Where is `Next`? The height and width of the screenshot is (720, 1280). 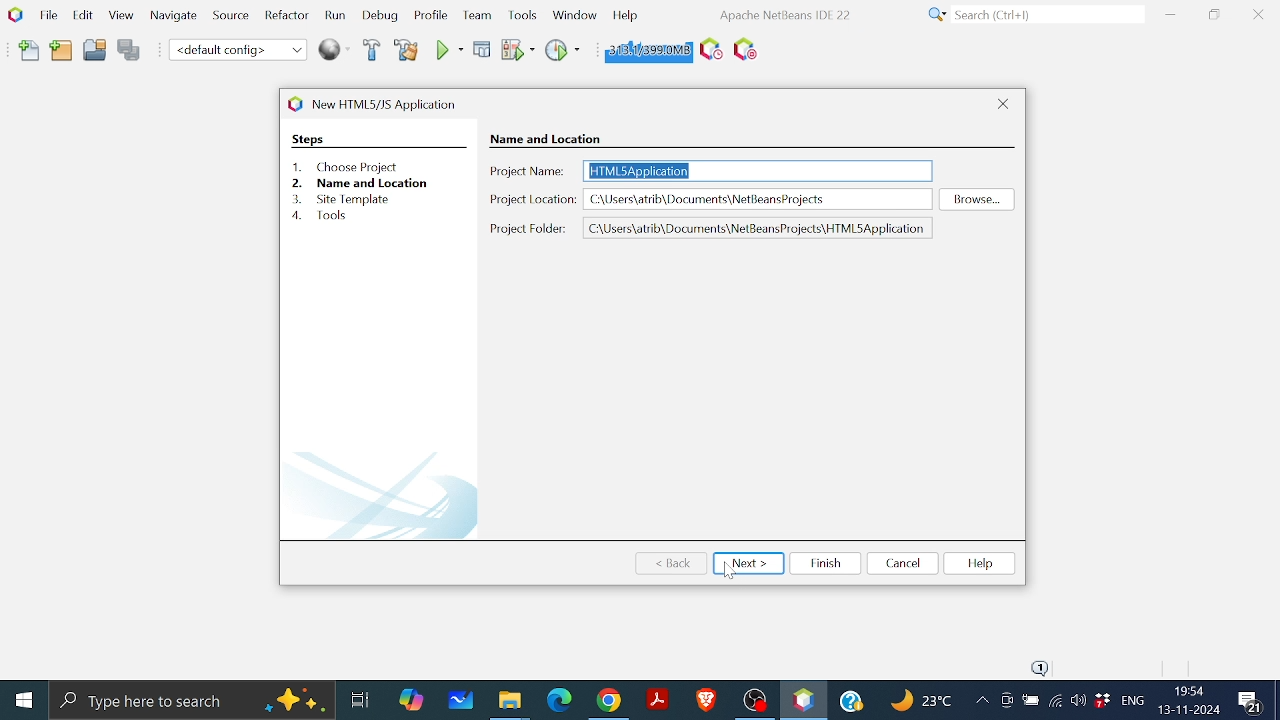 Next is located at coordinates (748, 563).